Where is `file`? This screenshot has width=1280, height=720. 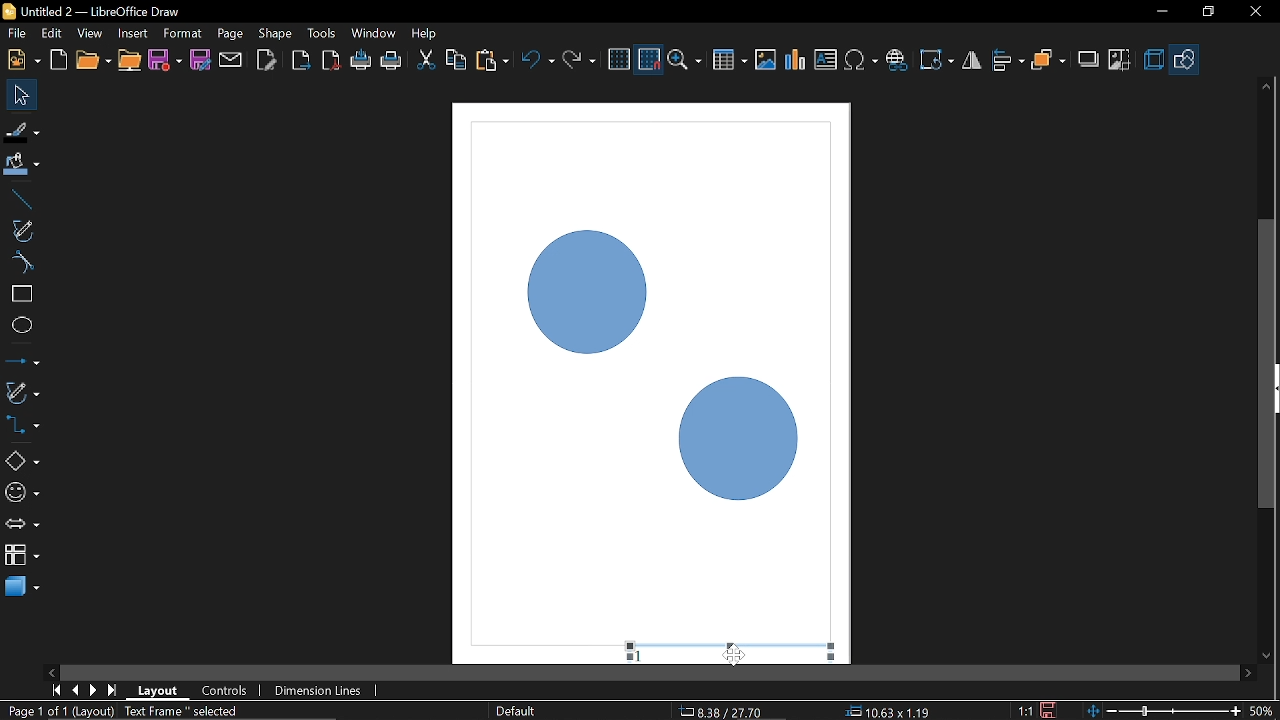
file is located at coordinates (17, 35).